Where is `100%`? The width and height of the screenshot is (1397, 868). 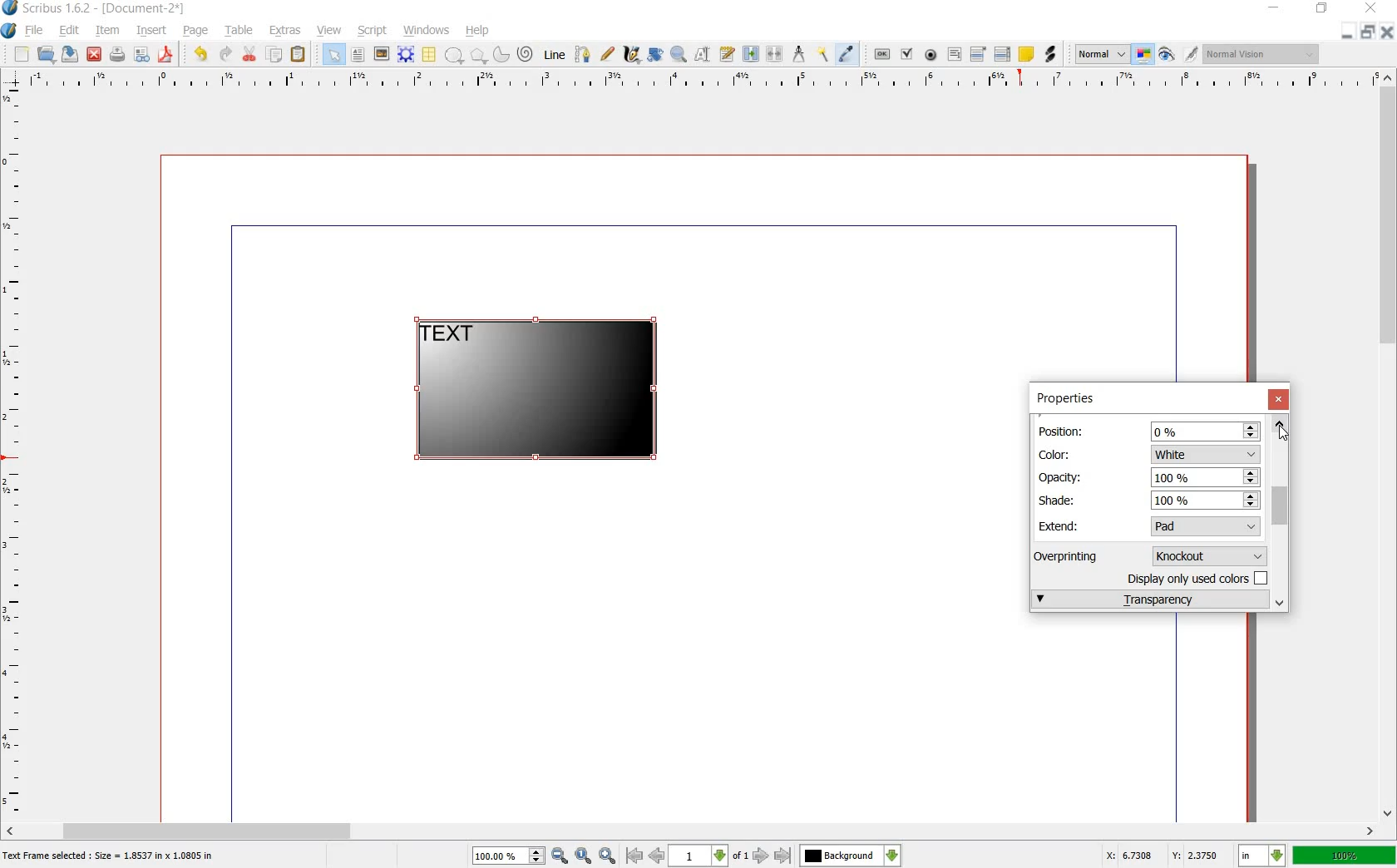 100% is located at coordinates (1345, 855).